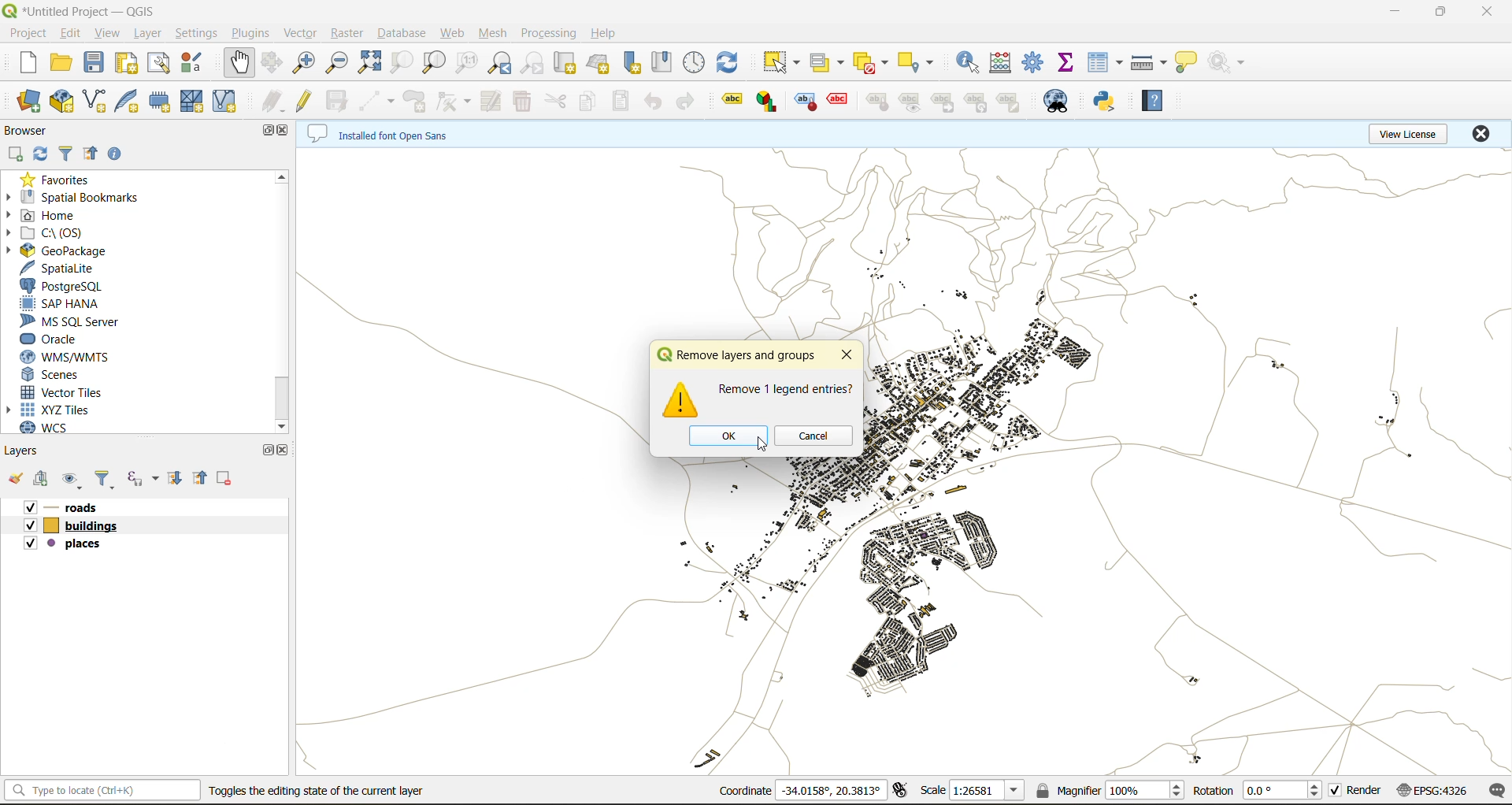 The image size is (1512, 805). Describe the element at coordinates (133, 102) in the screenshot. I see `new spatialite` at that location.